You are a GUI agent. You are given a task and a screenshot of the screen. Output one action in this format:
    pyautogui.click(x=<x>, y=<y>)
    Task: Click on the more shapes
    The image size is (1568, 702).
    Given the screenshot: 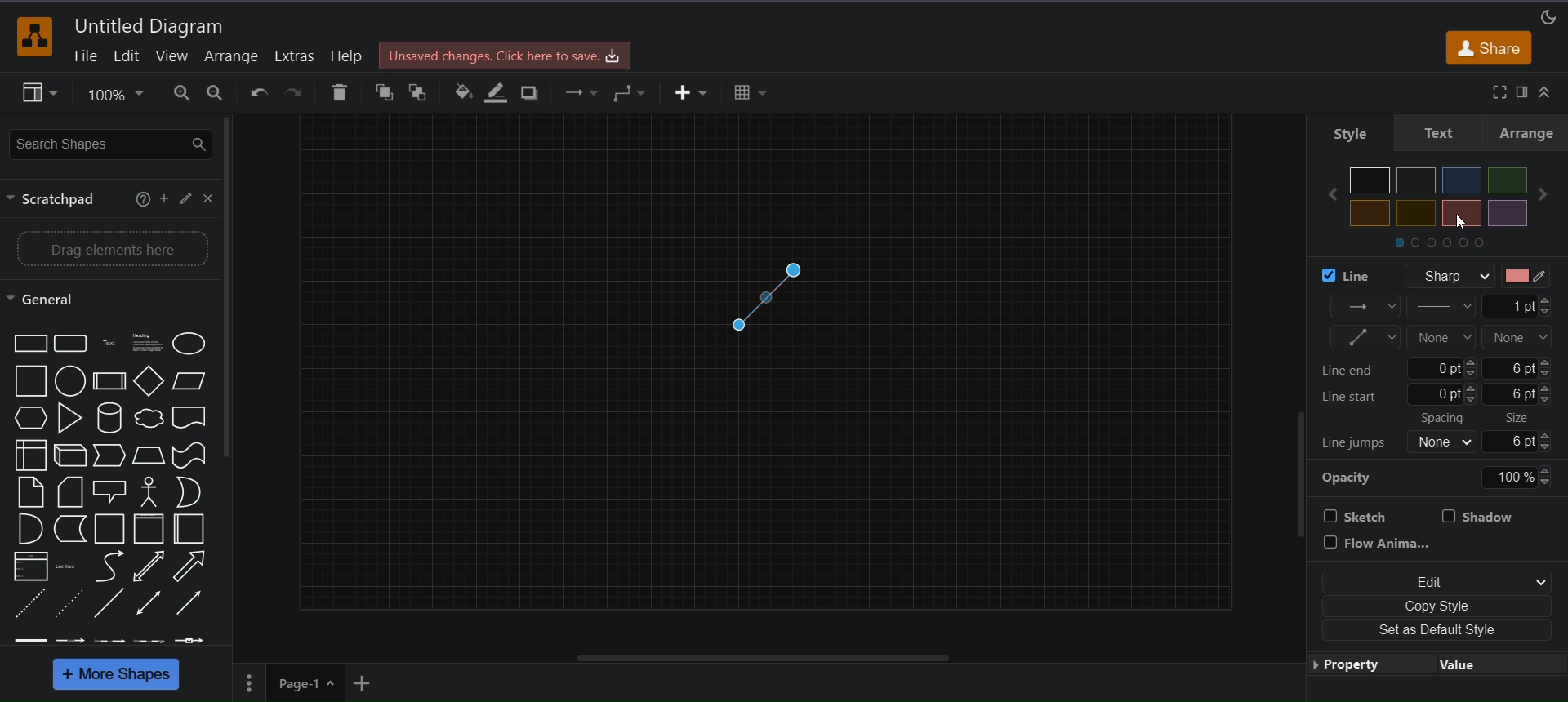 What is the action you would take?
    pyautogui.click(x=115, y=675)
    